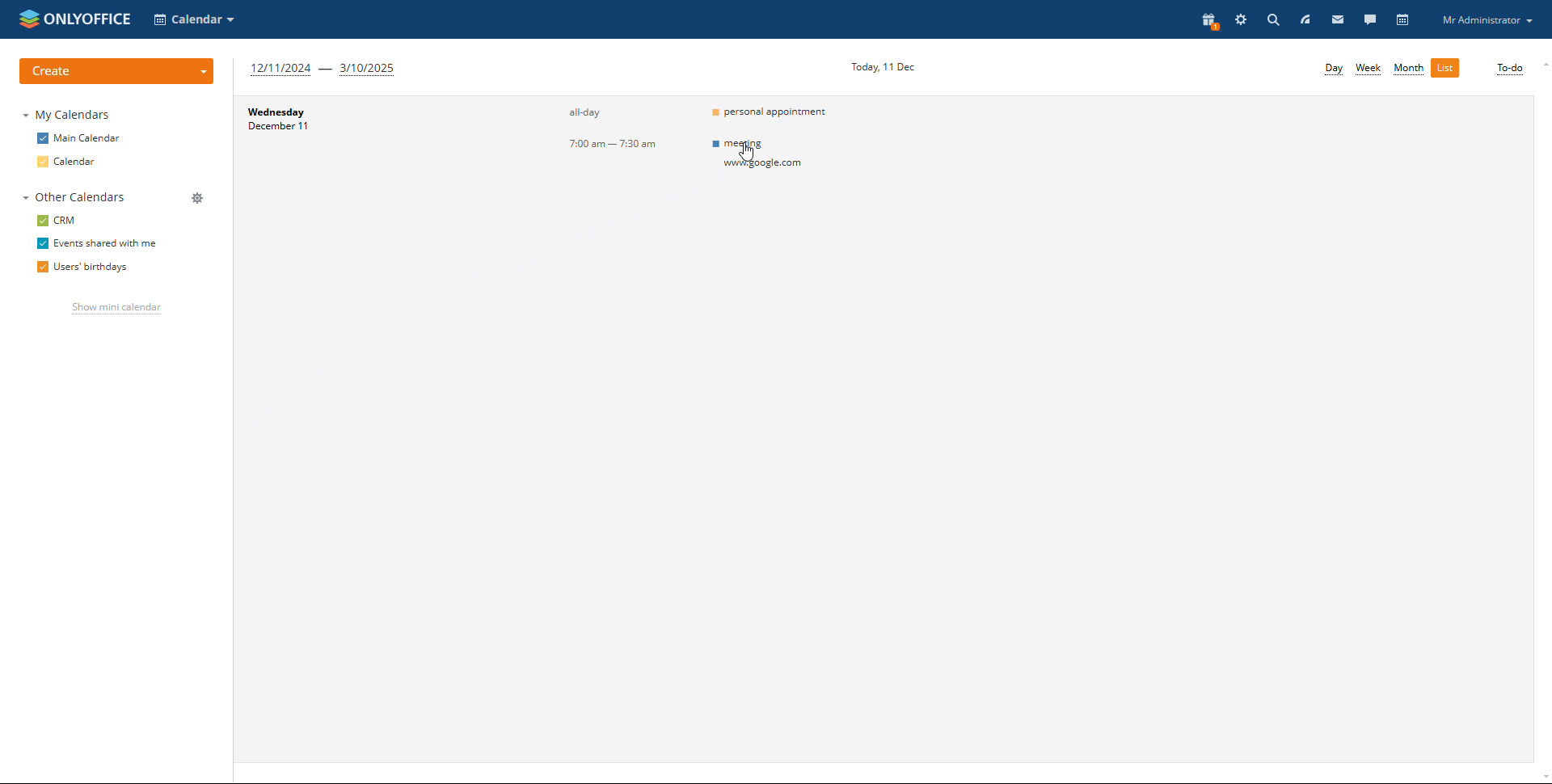 The image size is (1552, 784). What do you see at coordinates (1339, 19) in the screenshot?
I see `mail` at bounding box center [1339, 19].